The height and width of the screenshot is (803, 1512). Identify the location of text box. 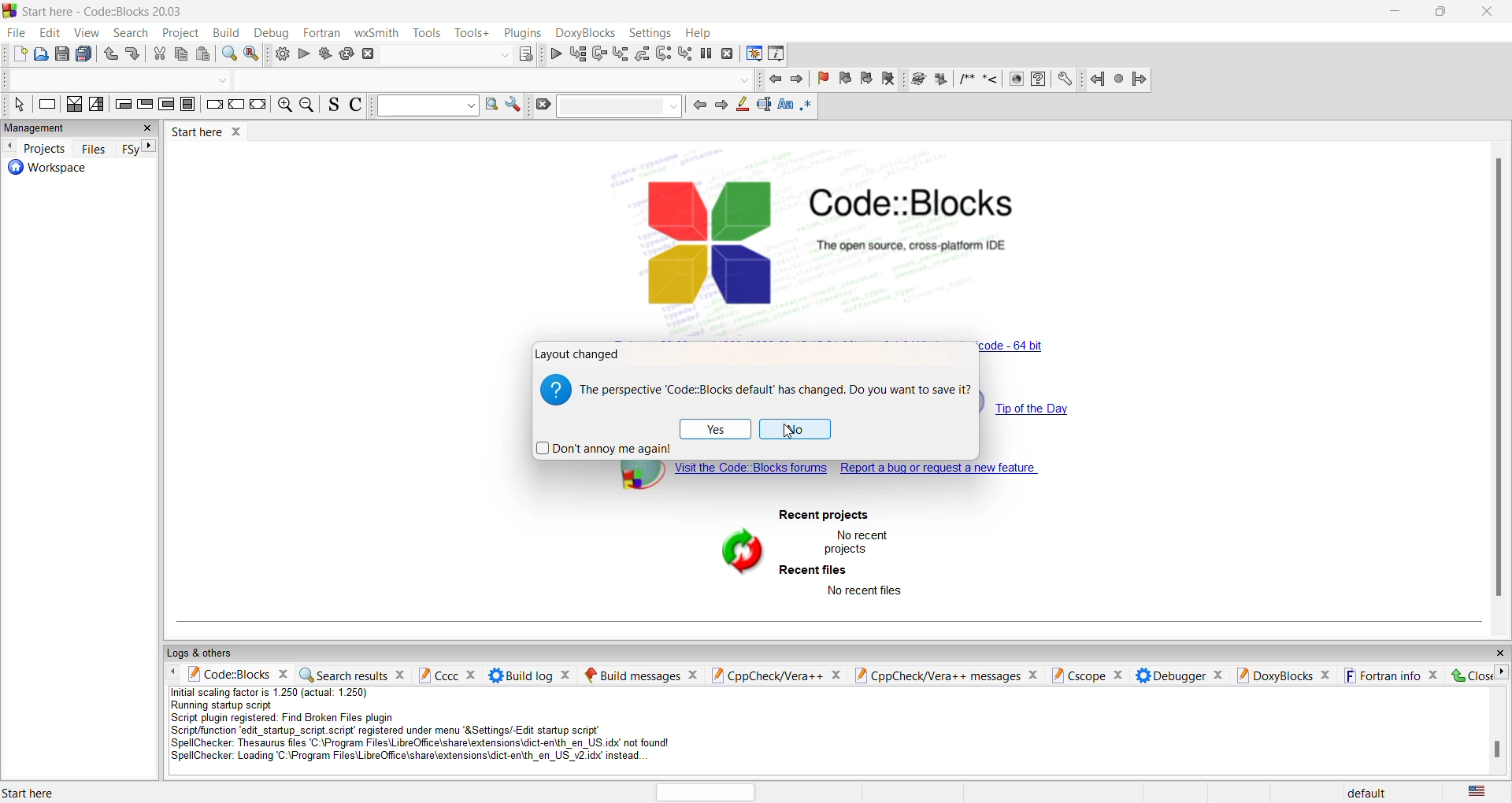
(621, 105).